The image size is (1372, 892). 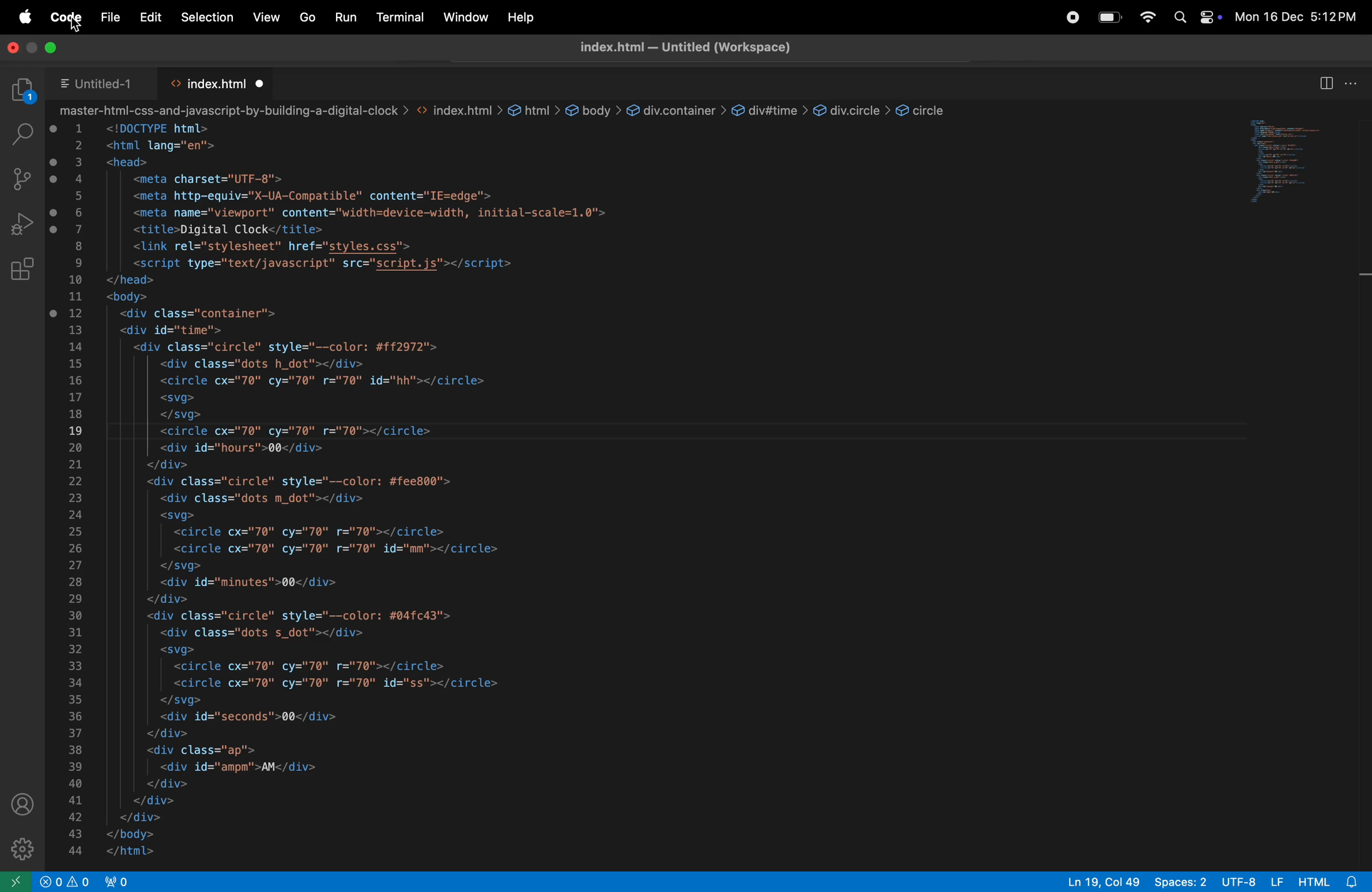 I want to click on html 8, so click(x=1328, y=881).